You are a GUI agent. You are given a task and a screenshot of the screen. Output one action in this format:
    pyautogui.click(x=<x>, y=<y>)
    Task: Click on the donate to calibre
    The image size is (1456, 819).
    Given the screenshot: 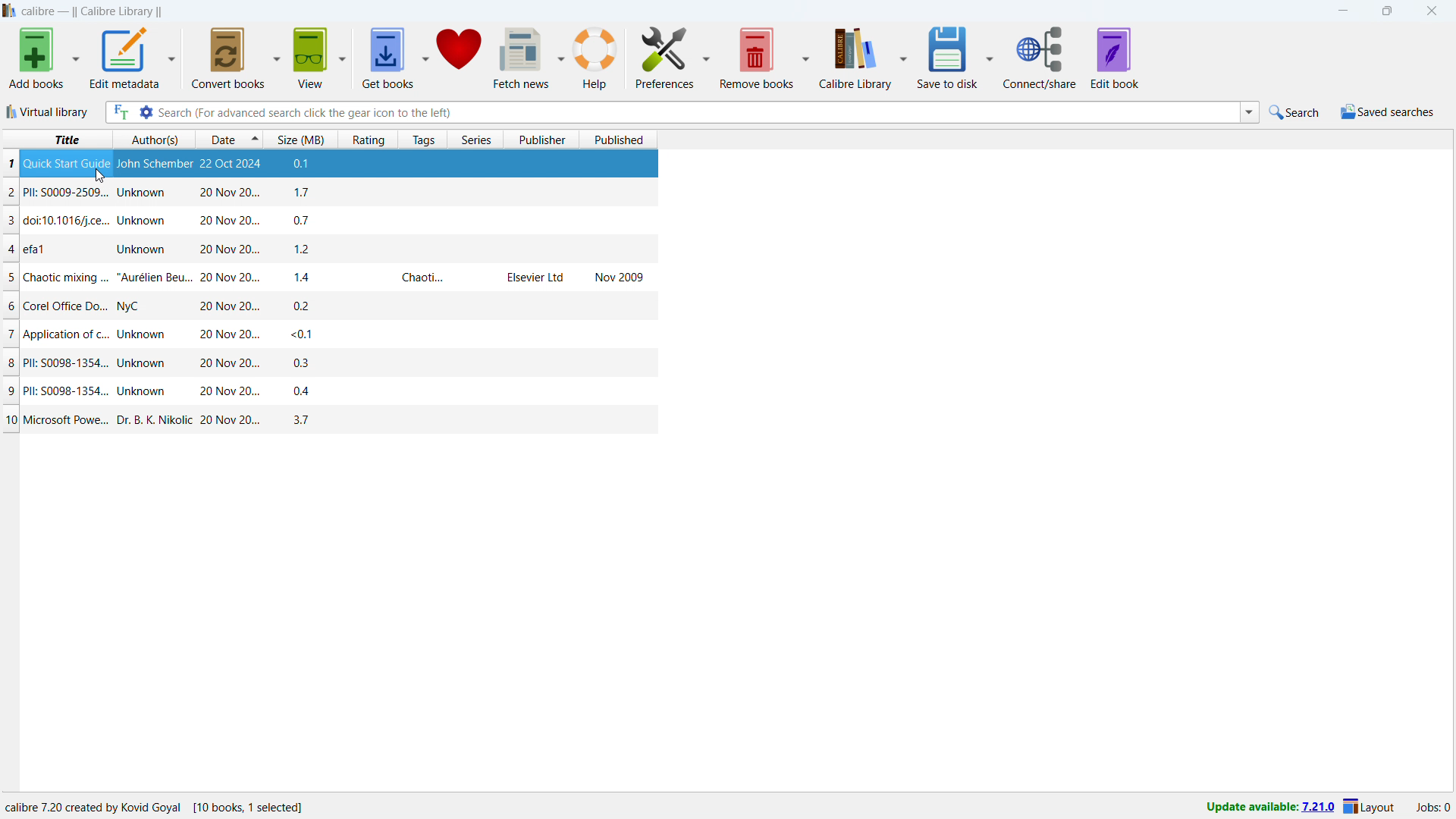 What is the action you would take?
    pyautogui.click(x=459, y=55)
    